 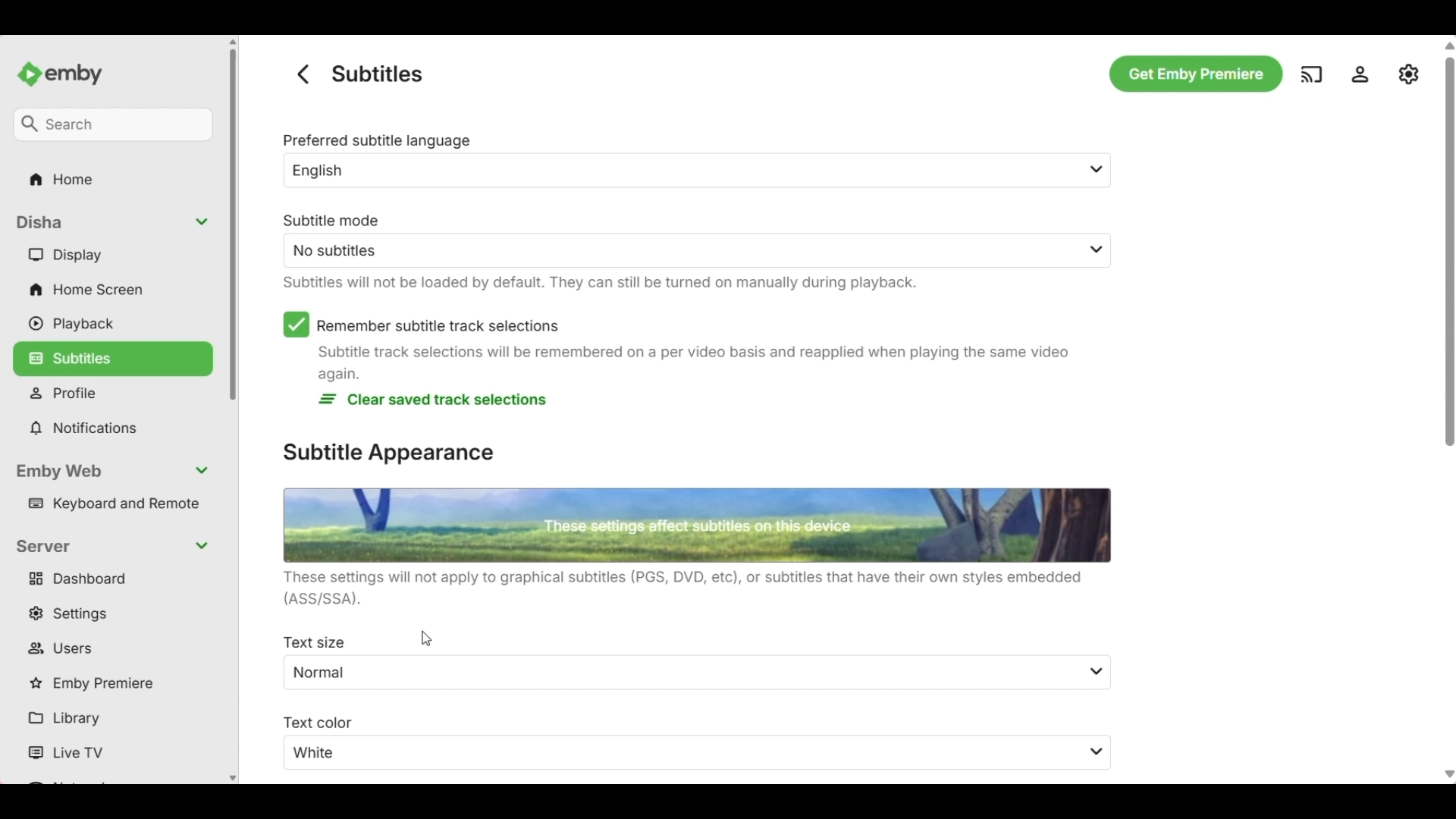 What do you see at coordinates (117, 504) in the screenshot?
I see `Keyboard and Remote` at bounding box center [117, 504].